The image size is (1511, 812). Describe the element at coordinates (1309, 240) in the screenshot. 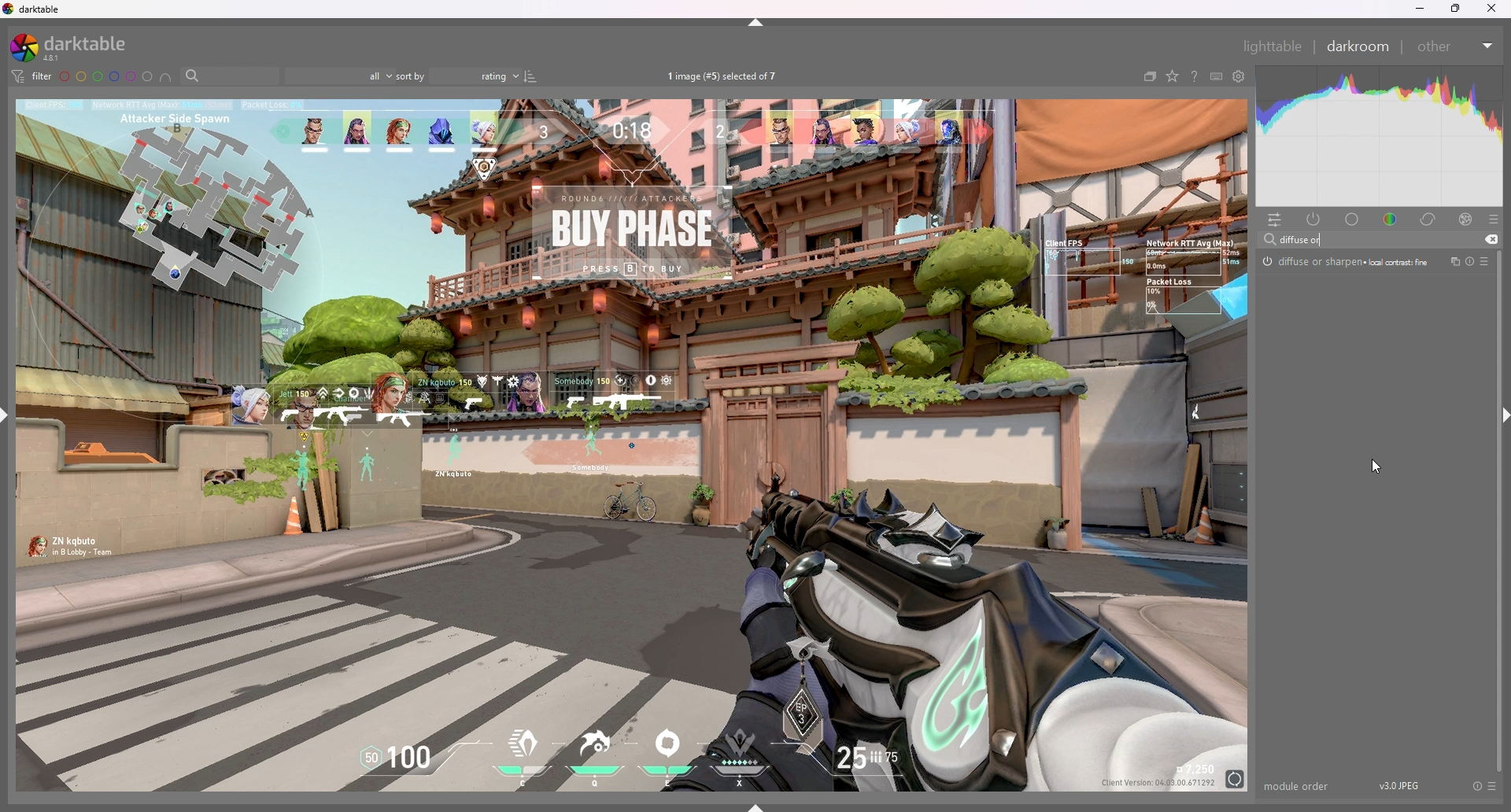

I see `input` at that location.